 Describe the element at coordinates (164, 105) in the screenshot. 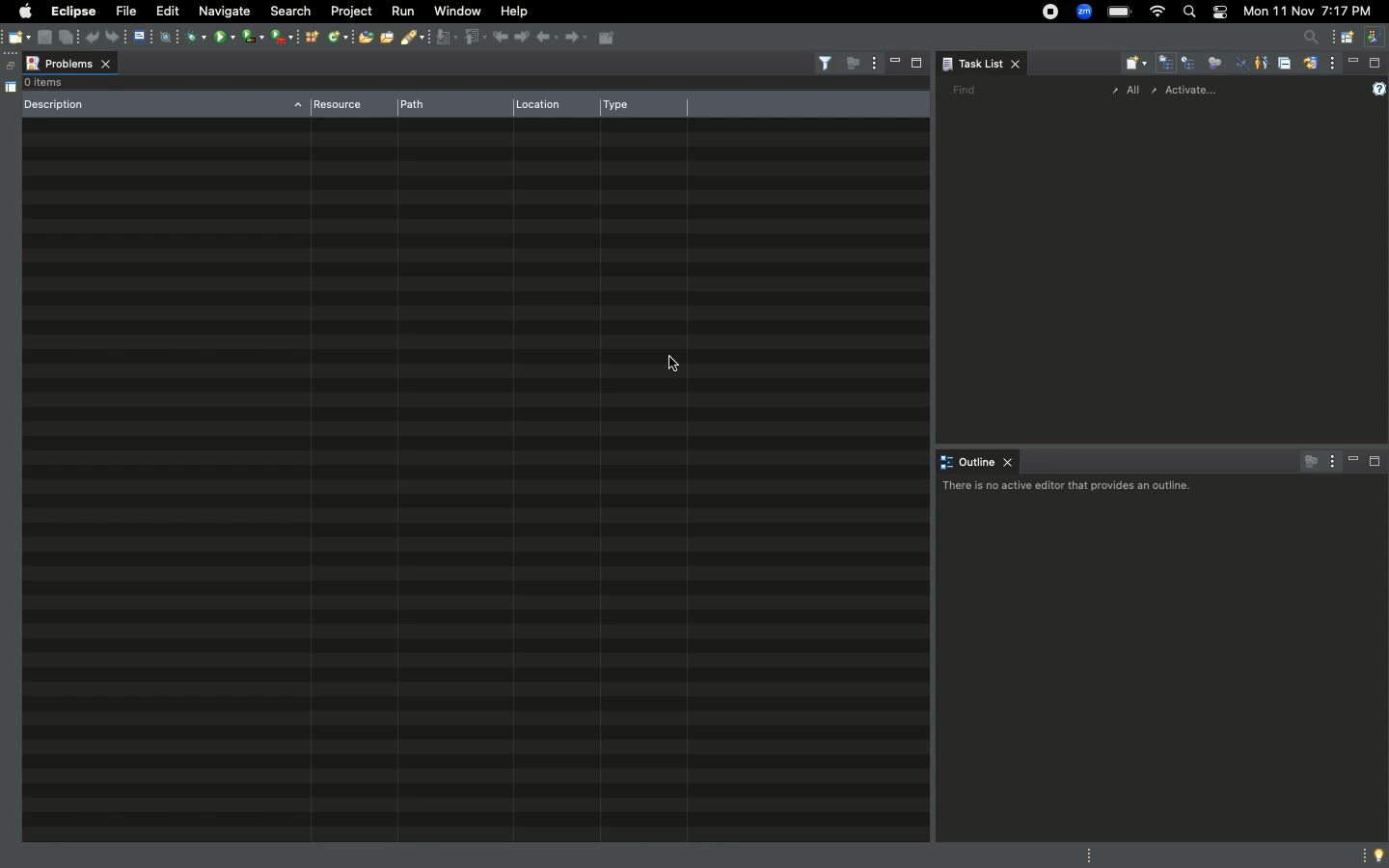

I see `Description` at that location.